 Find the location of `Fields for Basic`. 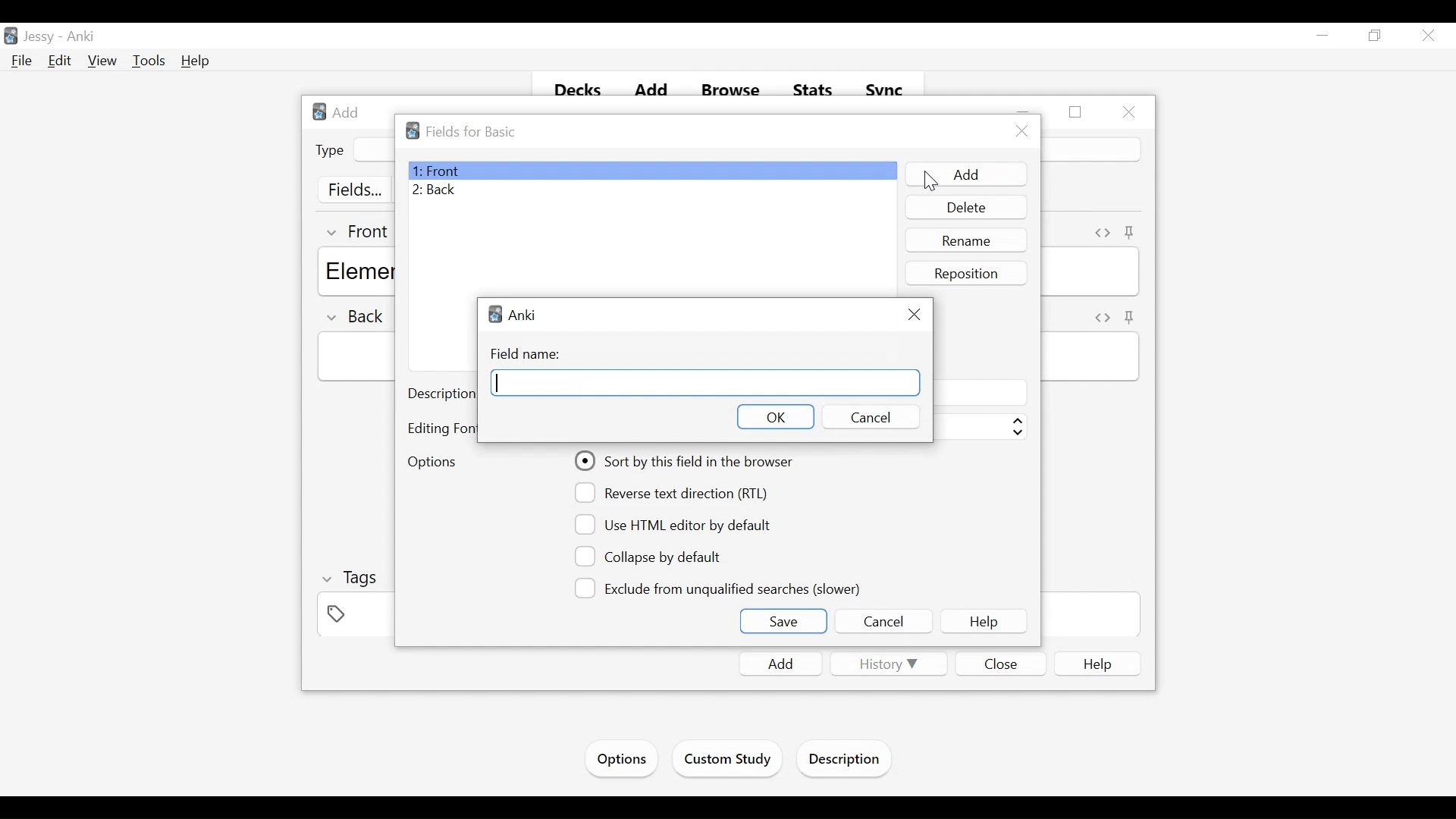

Fields for Basic is located at coordinates (468, 131).